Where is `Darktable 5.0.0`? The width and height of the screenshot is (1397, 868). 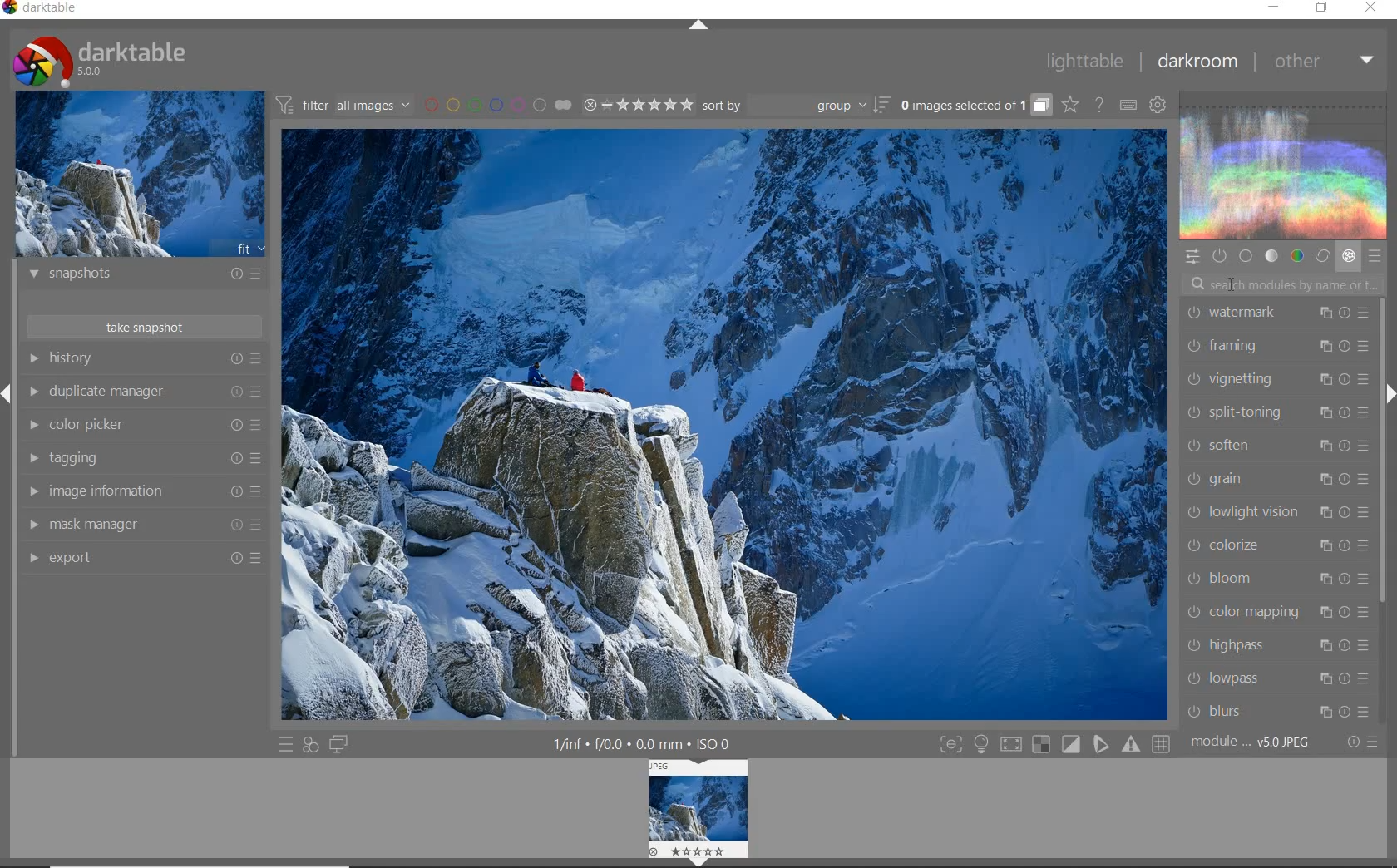
Darktable 5.0.0 is located at coordinates (100, 62).